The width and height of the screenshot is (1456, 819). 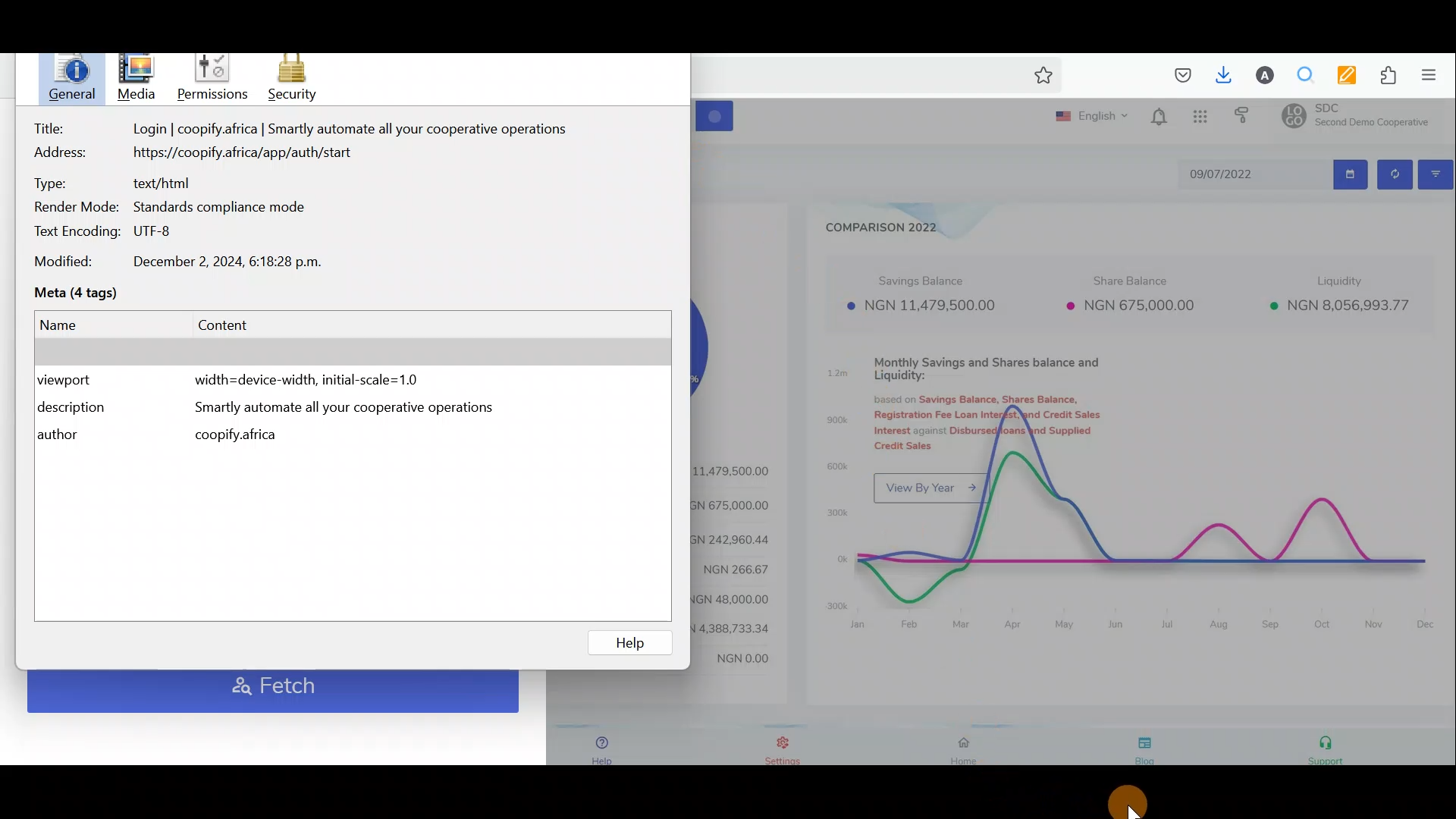 I want to click on Account, so click(x=1259, y=75).